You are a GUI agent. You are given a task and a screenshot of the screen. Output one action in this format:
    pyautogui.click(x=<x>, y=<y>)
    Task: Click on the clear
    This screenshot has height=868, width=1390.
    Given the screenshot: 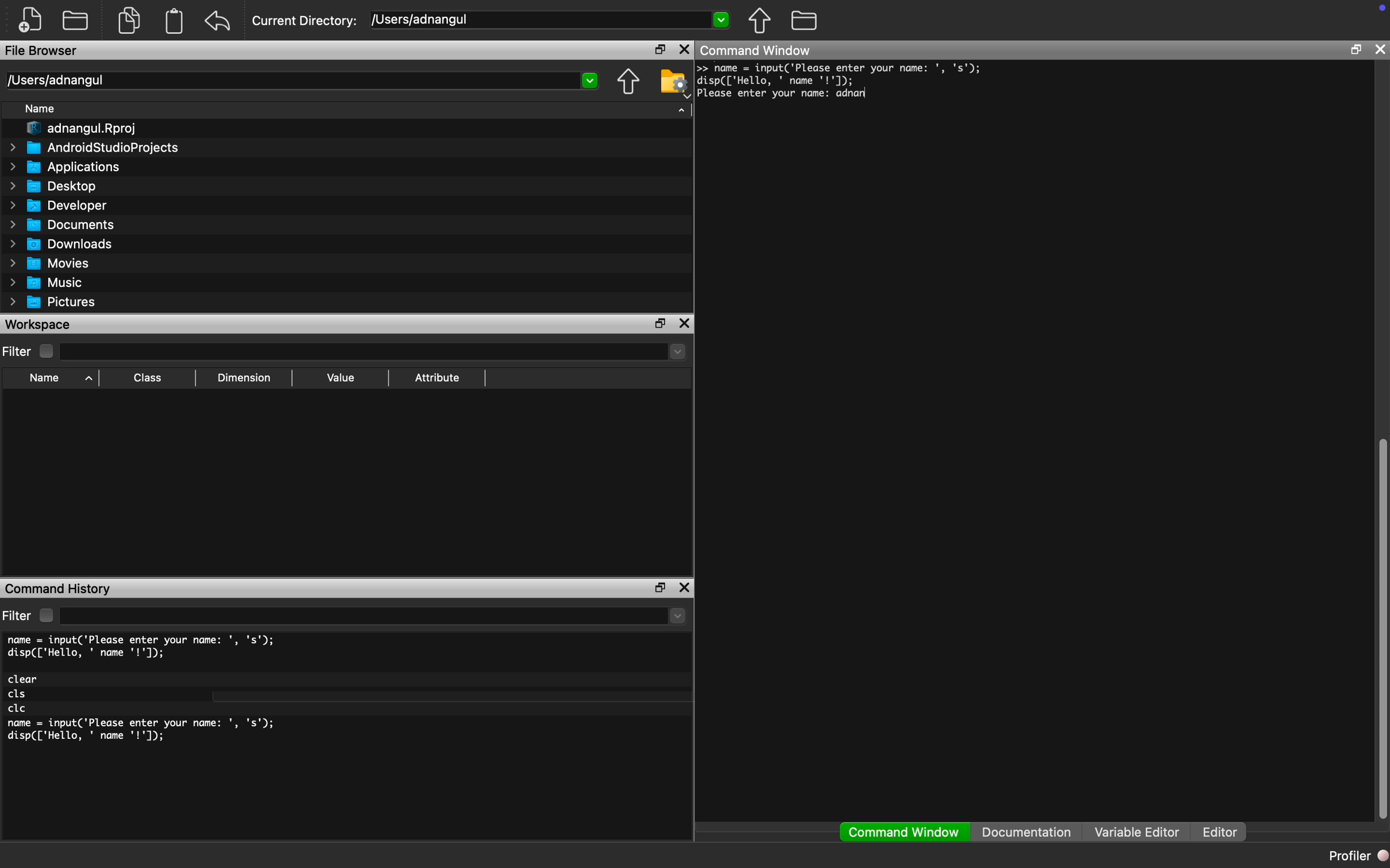 What is the action you would take?
    pyautogui.click(x=24, y=679)
    